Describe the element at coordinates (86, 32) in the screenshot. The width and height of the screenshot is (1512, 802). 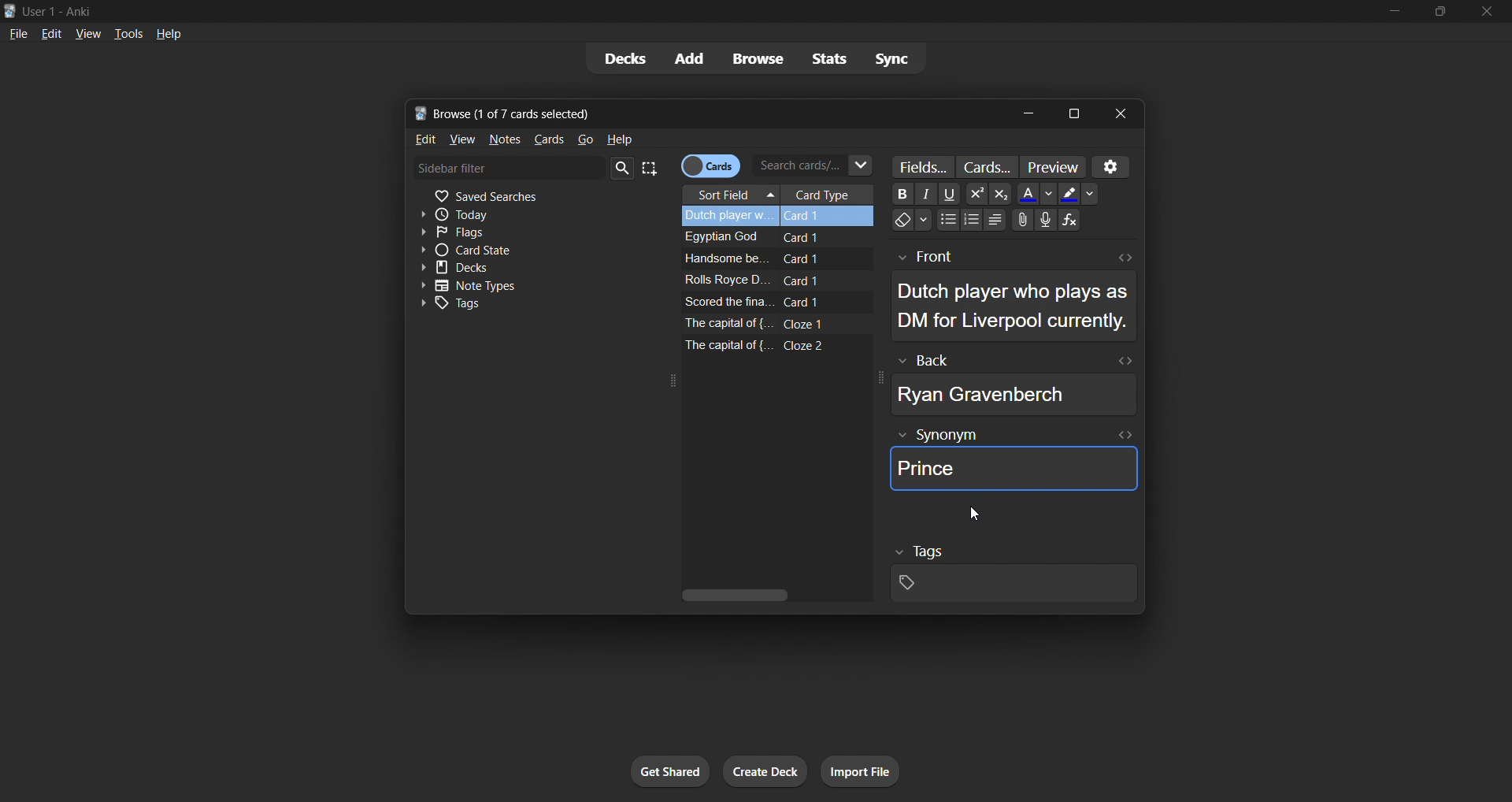
I see `view` at that location.